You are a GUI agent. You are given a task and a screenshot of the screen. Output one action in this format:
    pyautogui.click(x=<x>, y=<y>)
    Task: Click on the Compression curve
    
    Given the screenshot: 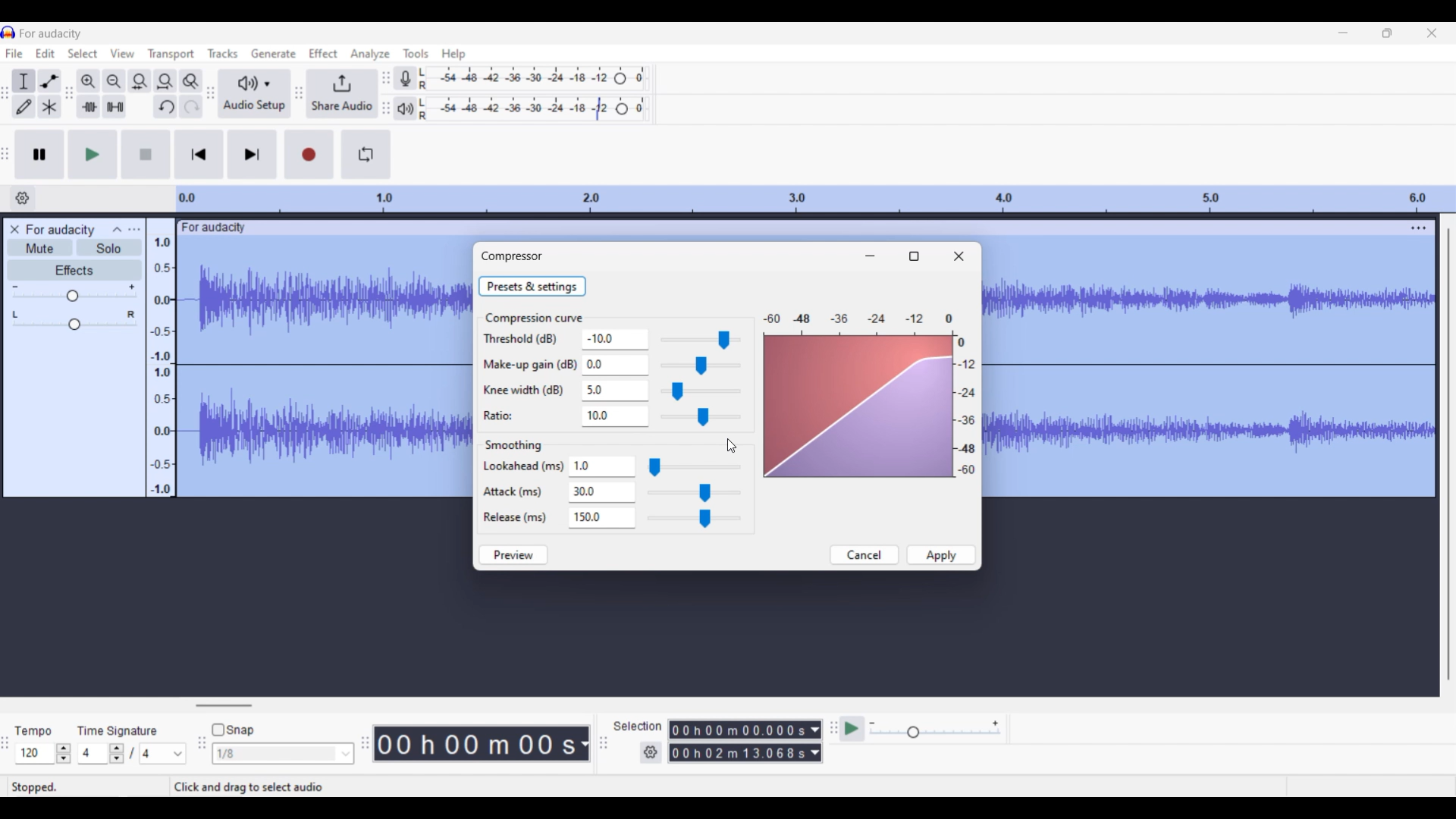 What is the action you would take?
    pyautogui.click(x=535, y=318)
    